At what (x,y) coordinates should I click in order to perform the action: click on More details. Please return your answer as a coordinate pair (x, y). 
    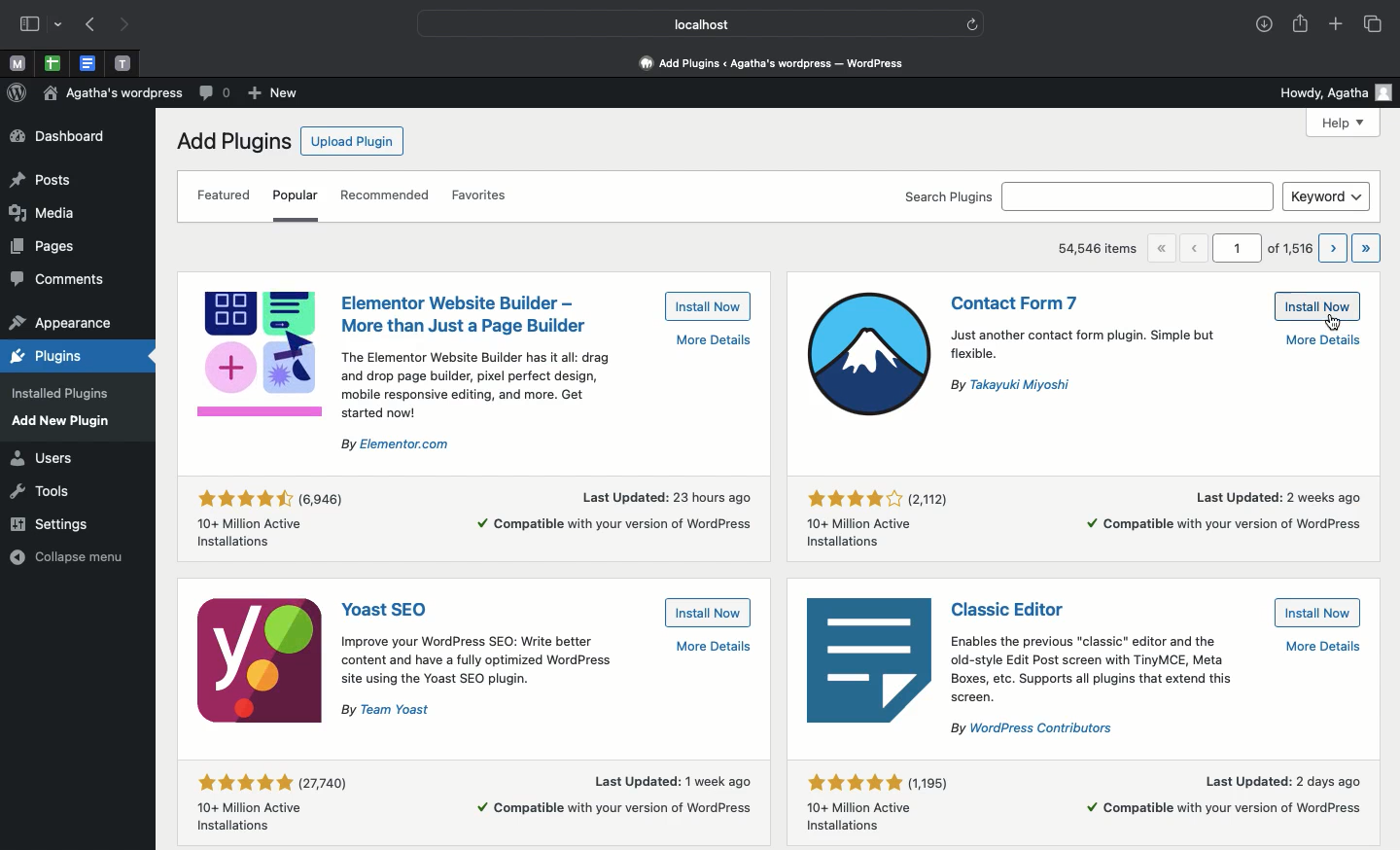
    Looking at the image, I should click on (614, 509).